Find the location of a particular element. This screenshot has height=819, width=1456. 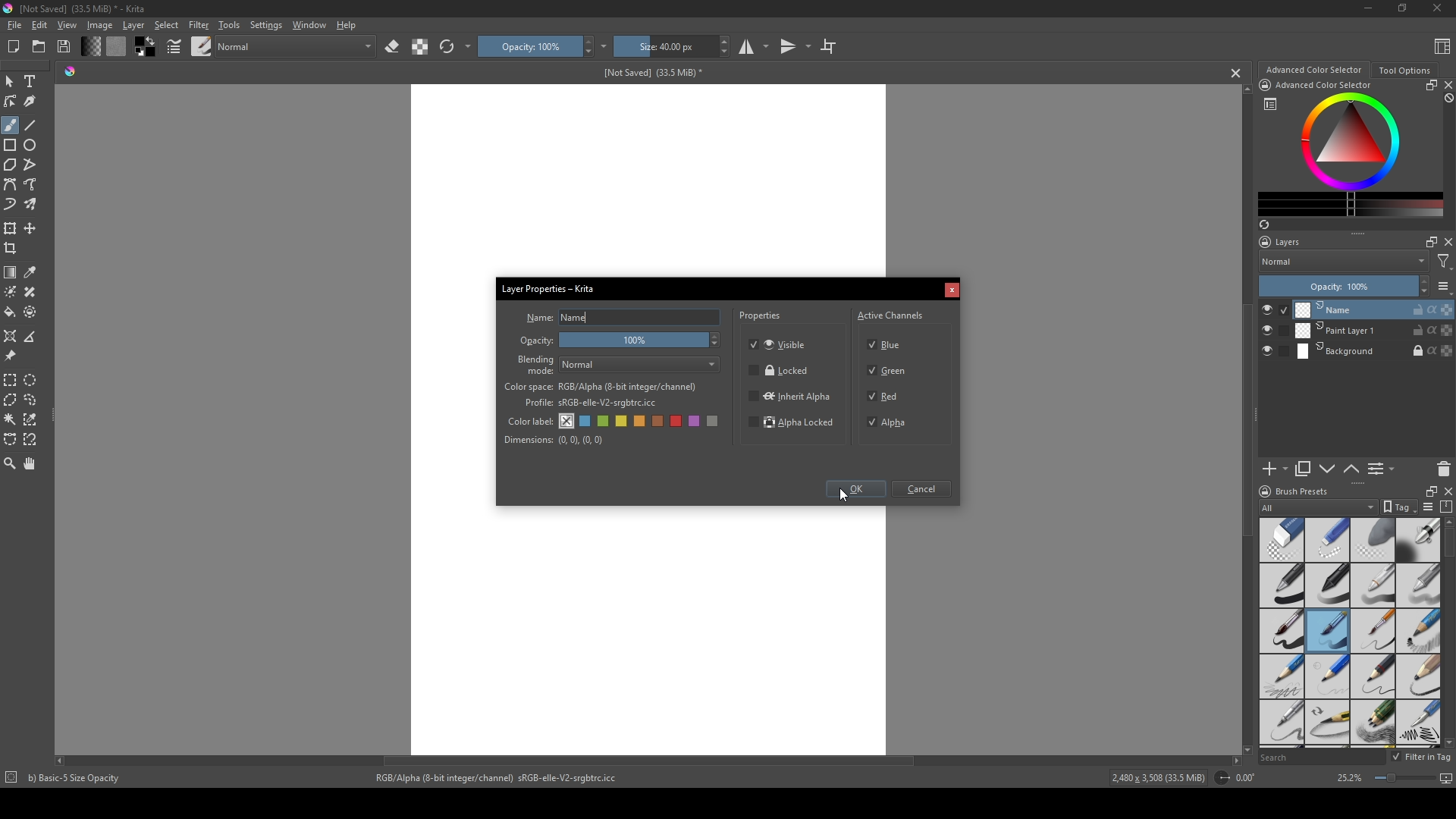

blue is located at coordinates (586, 422).